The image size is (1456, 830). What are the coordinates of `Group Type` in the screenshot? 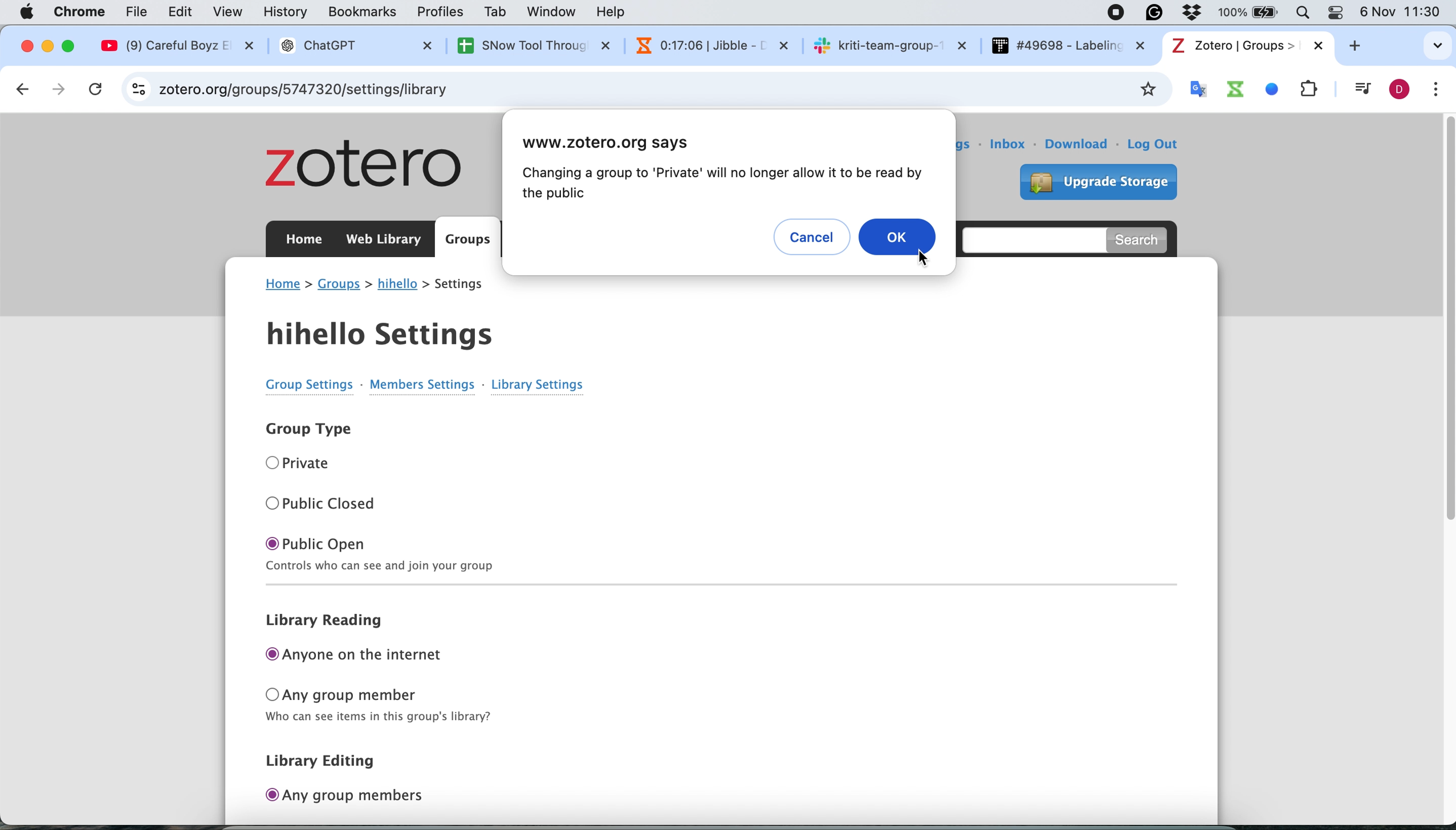 It's located at (303, 430).